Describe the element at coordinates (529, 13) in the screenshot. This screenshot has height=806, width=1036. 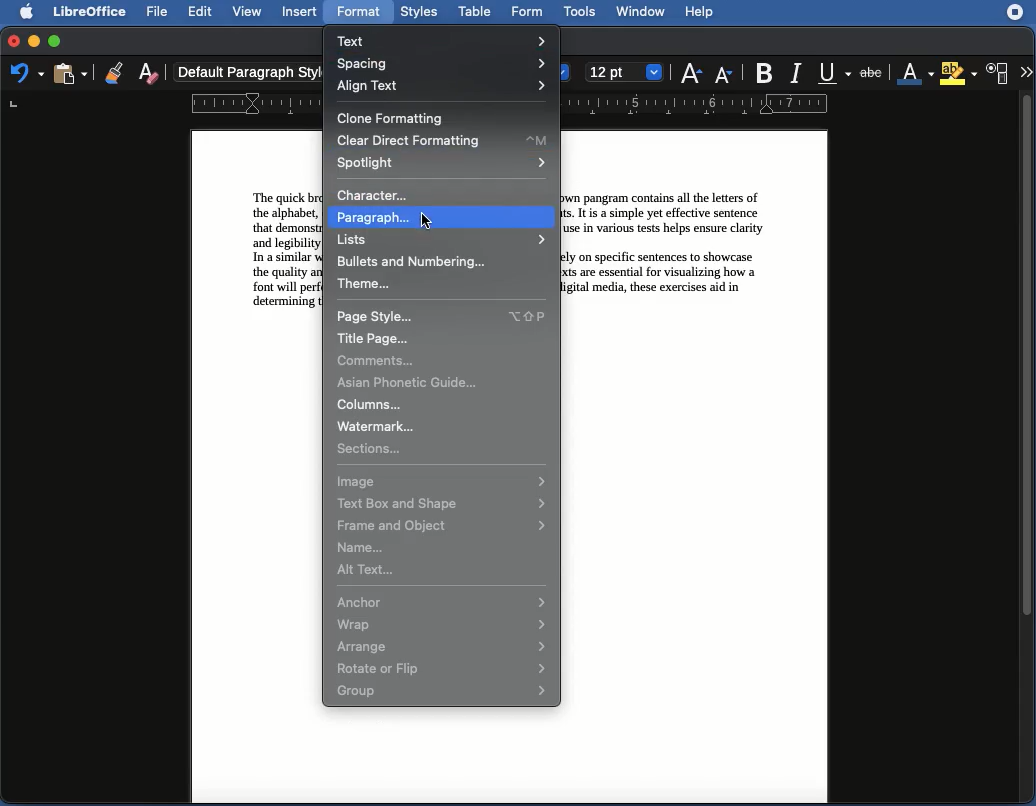
I see `Form` at that location.